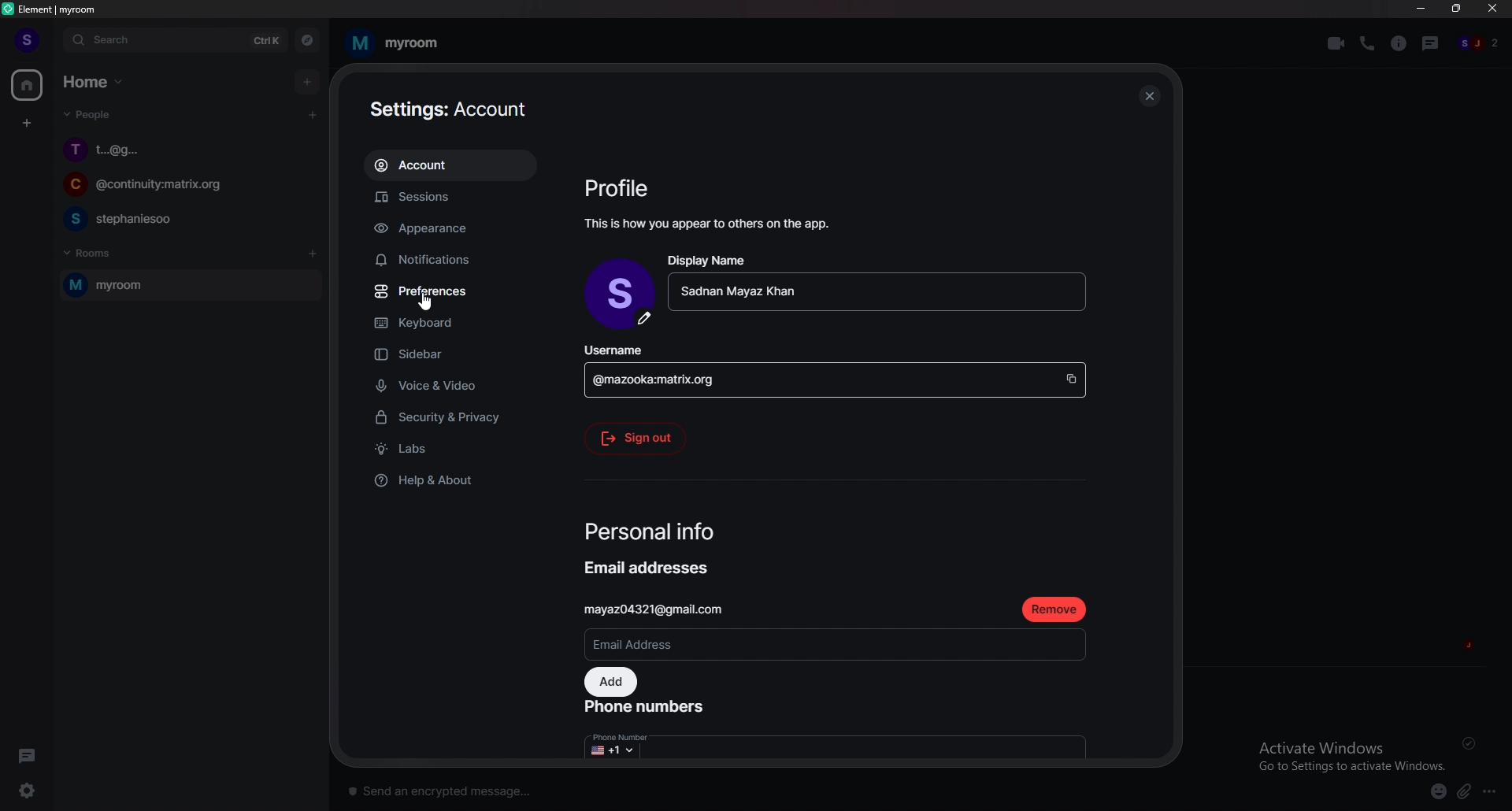 This screenshot has height=811, width=1512. I want to click on close, so click(1149, 95).